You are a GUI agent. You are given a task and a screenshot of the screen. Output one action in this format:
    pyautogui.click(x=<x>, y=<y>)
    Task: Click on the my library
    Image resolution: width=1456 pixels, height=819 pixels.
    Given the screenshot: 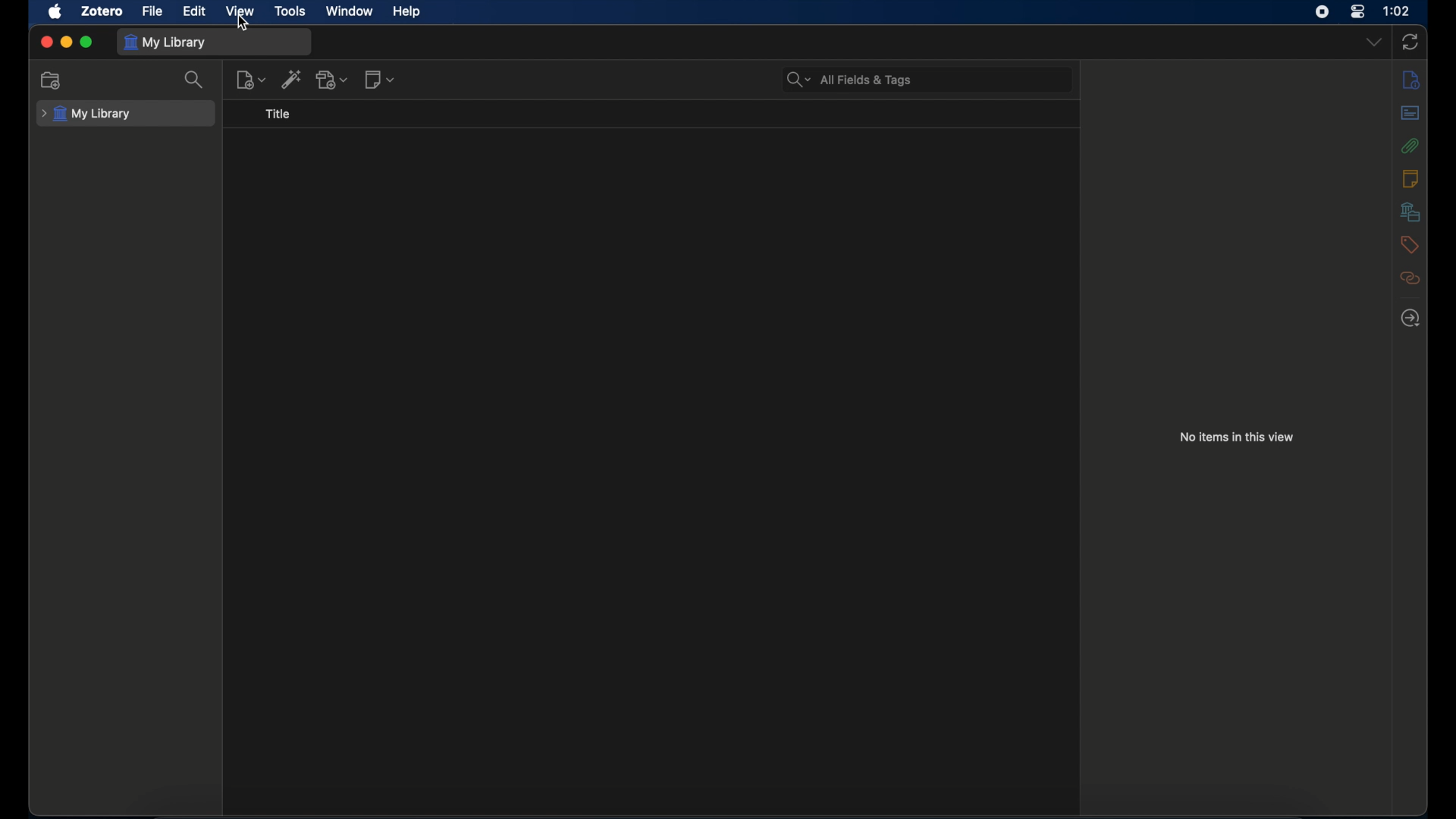 What is the action you would take?
    pyautogui.click(x=165, y=43)
    